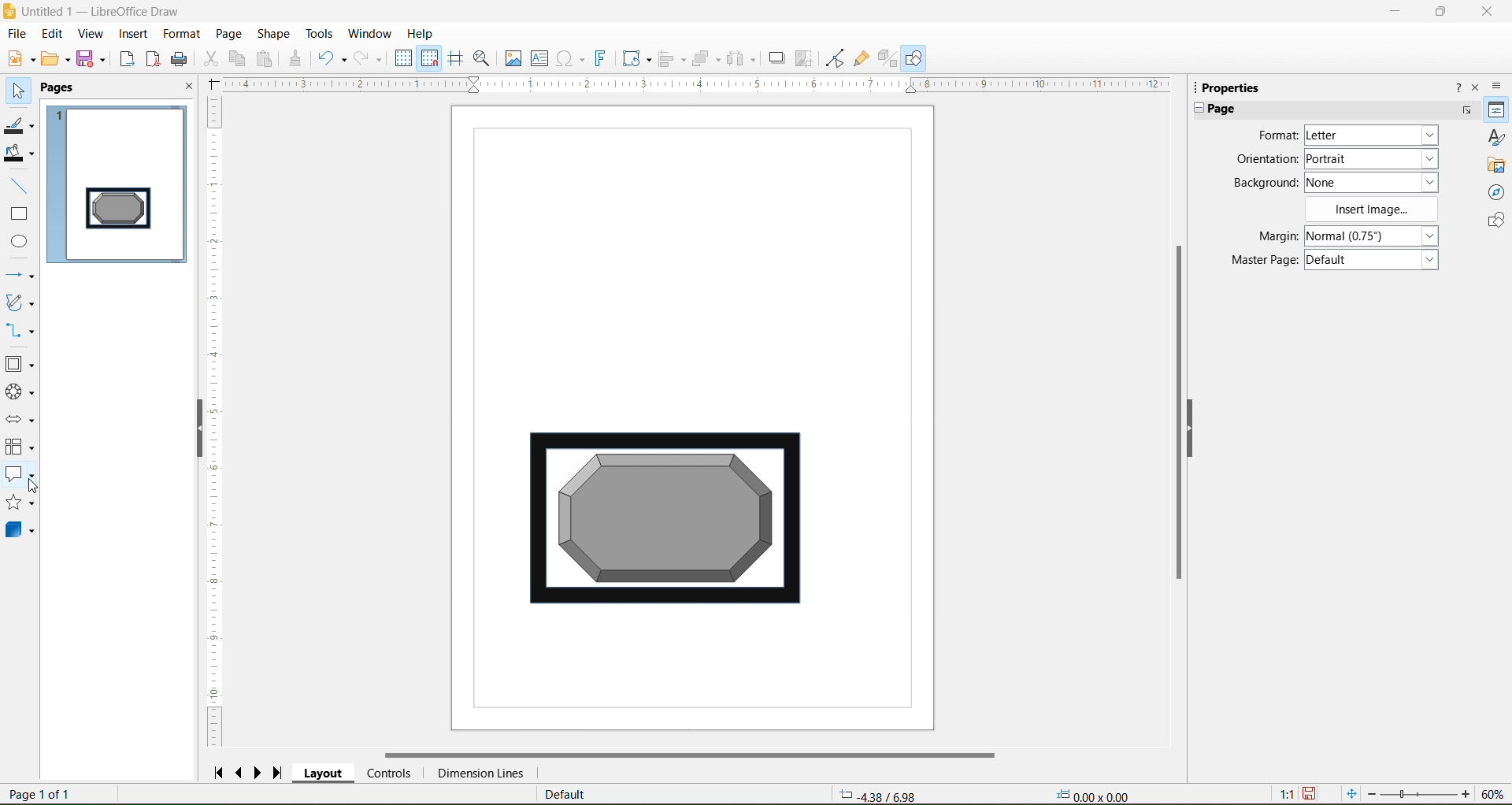 This screenshot has height=805, width=1512. What do you see at coordinates (1466, 110) in the screenshot?
I see `More Options` at bounding box center [1466, 110].